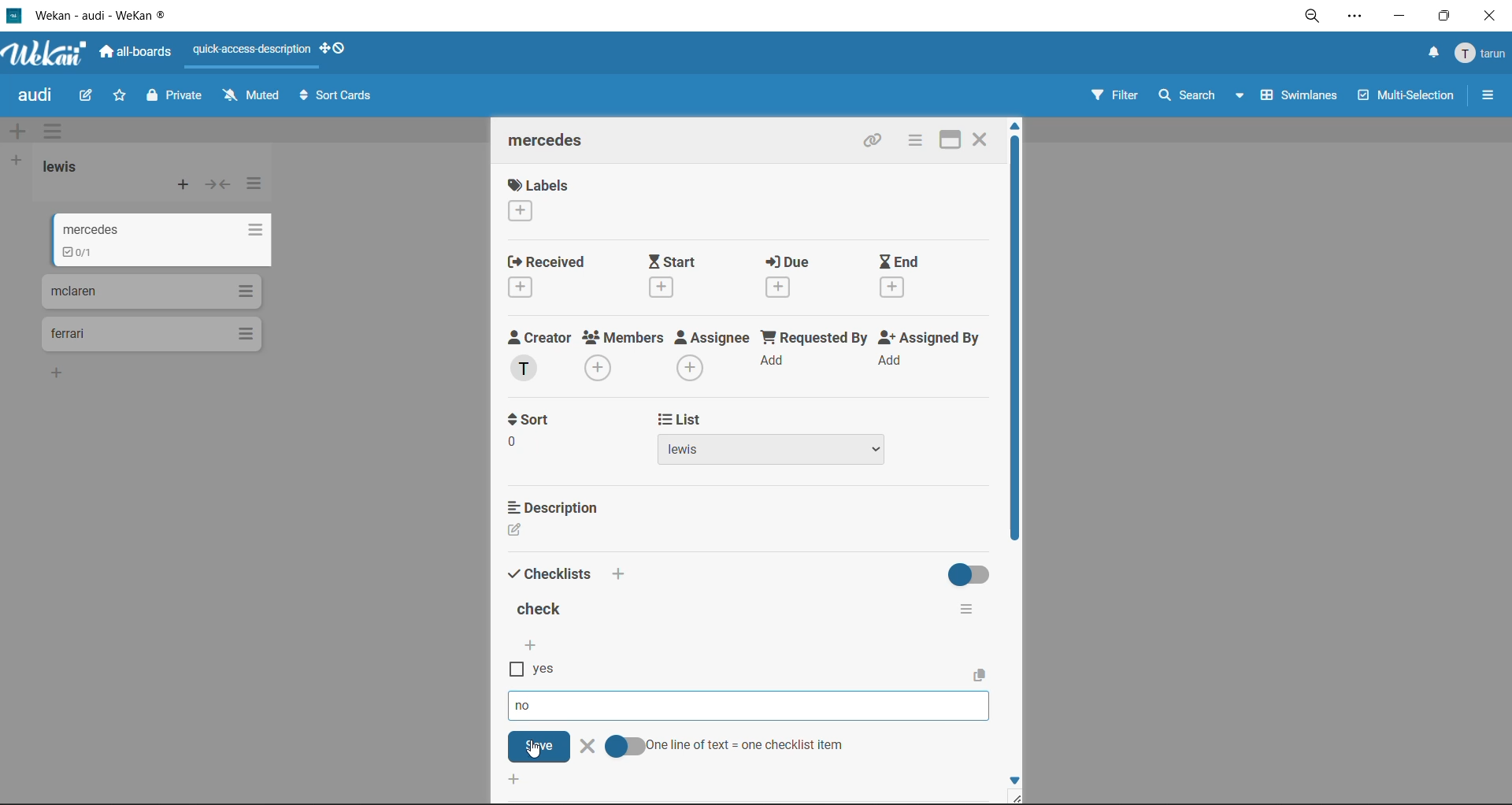 The image size is (1512, 805). Describe the element at coordinates (943, 139) in the screenshot. I see `maximize` at that location.